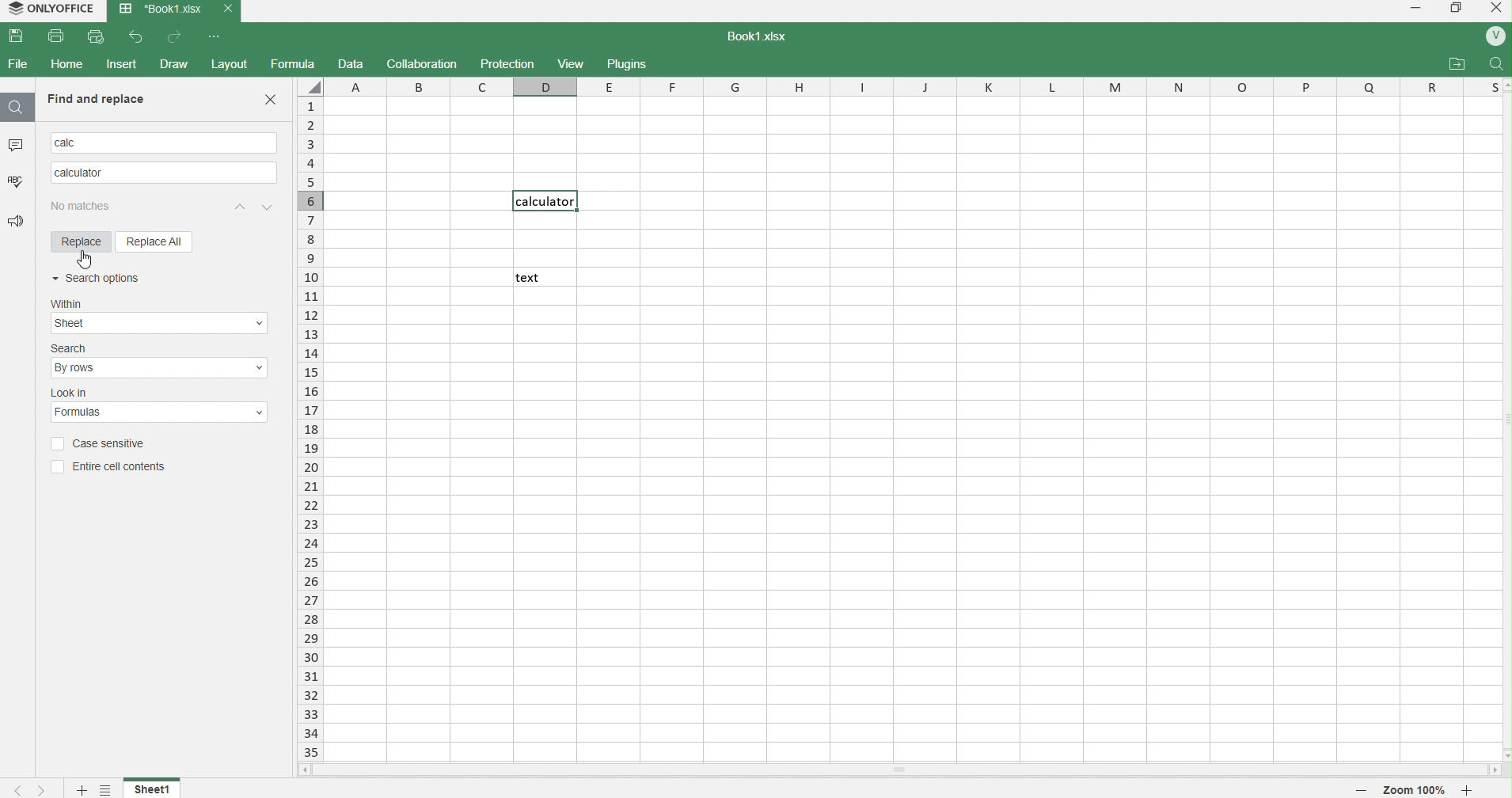 The height and width of the screenshot is (798, 1512). What do you see at coordinates (107, 442) in the screenshot?
I see `Case sensitive` at bounding box center [107, 442].